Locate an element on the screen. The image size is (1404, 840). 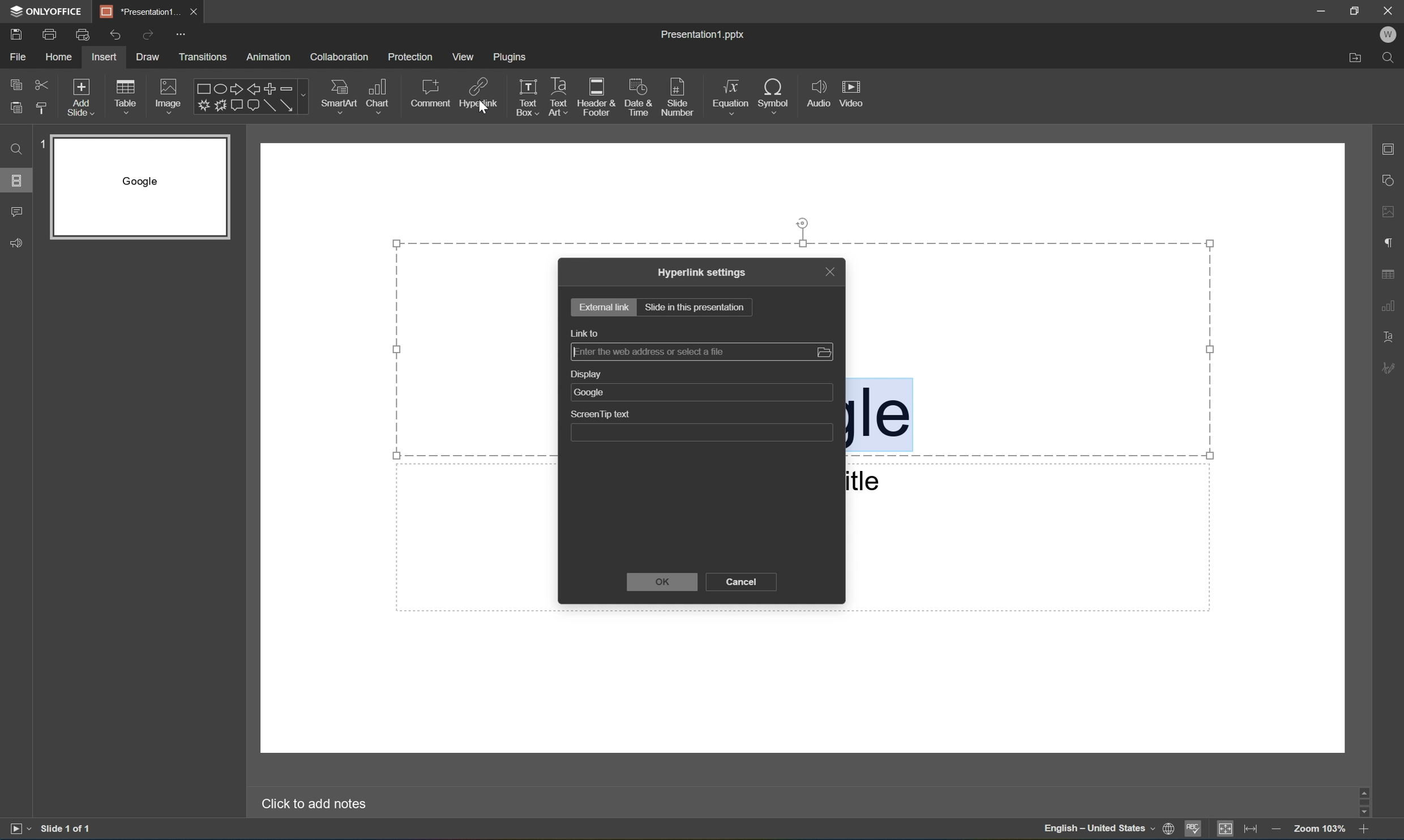
Comments is located at coordinates (16, 213).